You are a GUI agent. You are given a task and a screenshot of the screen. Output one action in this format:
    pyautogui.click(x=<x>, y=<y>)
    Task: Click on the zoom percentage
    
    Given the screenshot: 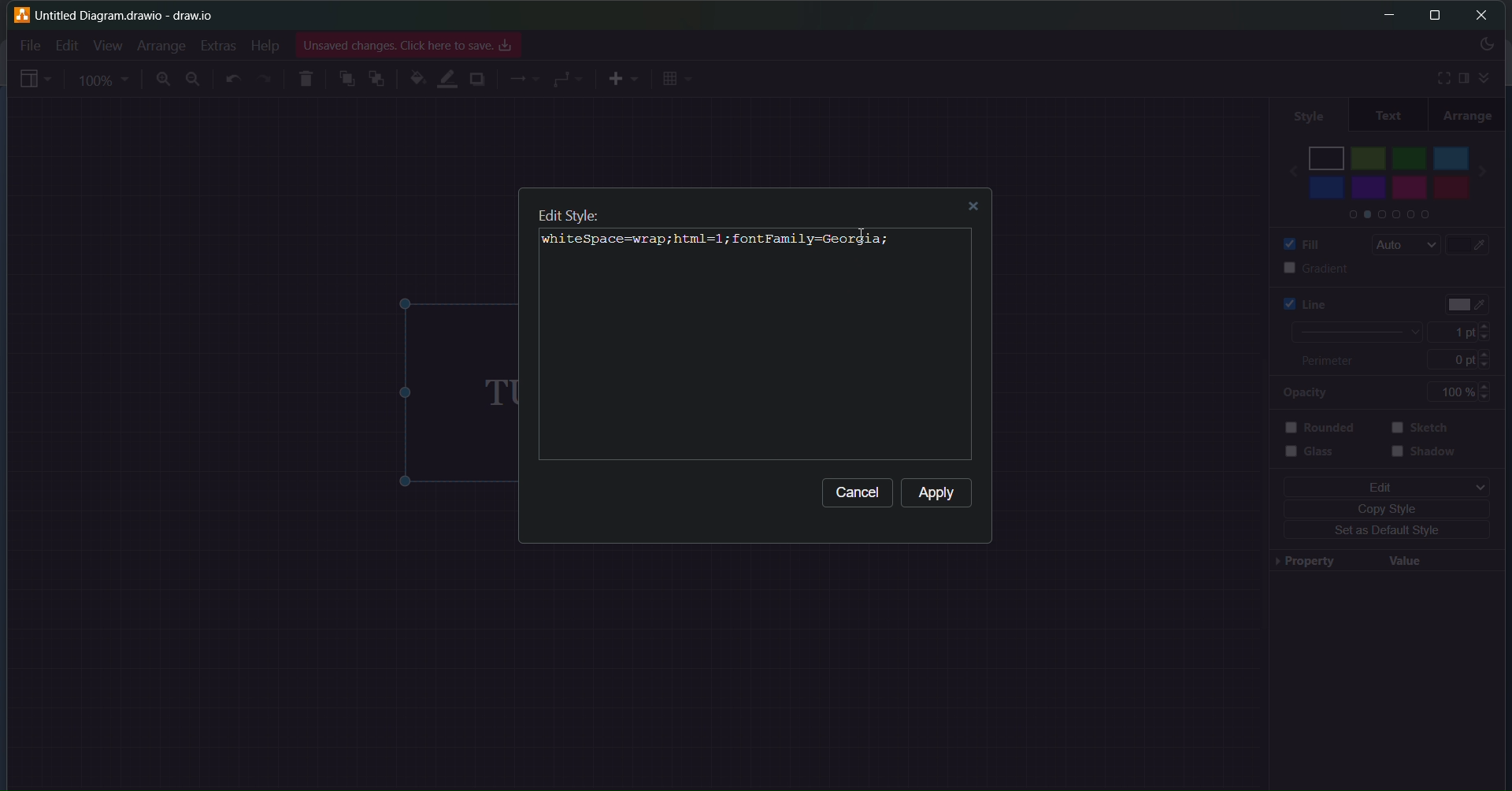 What is the action you would take?
    pyautogui.click(x=106, y=80)
    